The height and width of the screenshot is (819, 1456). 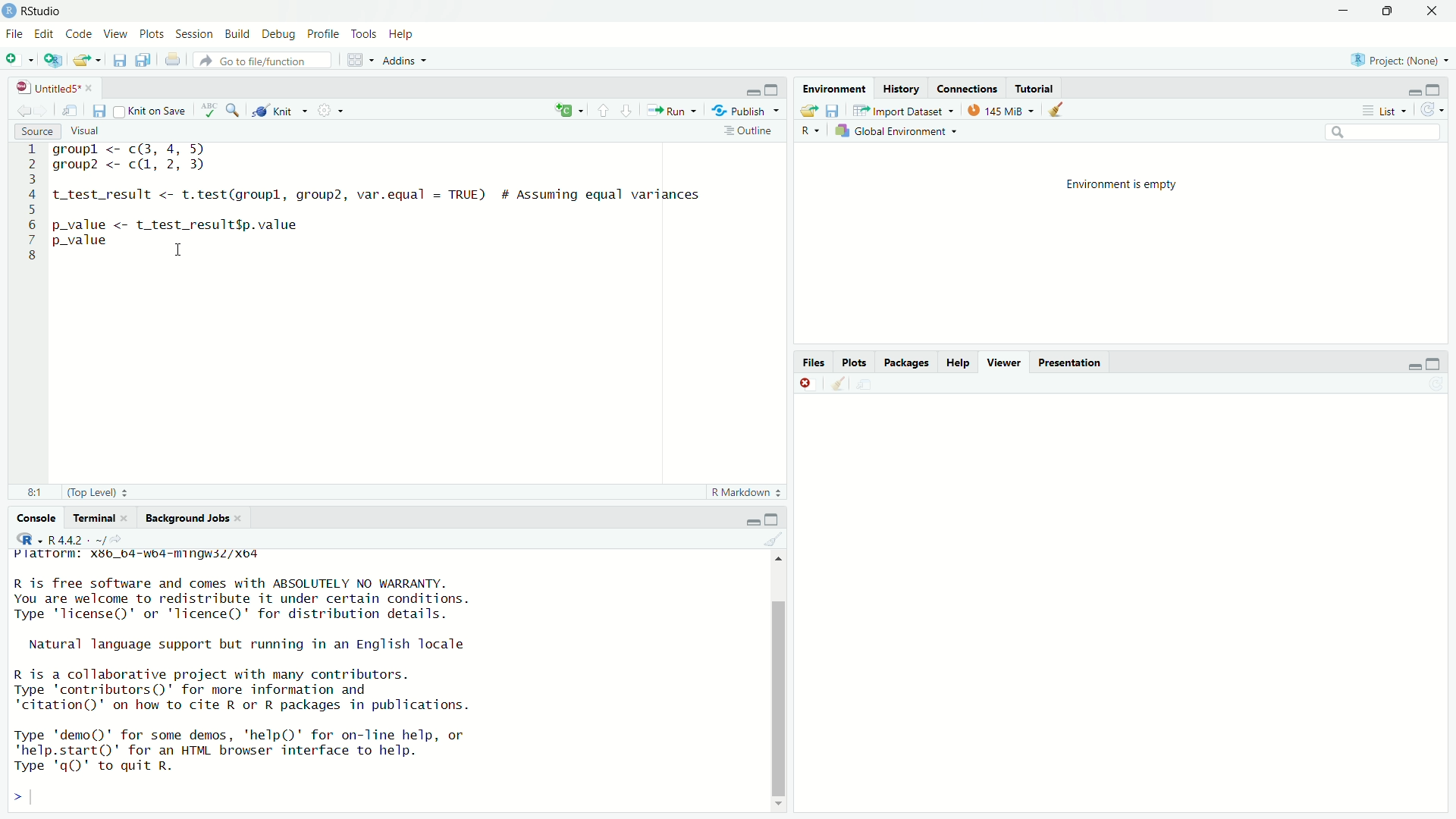 I want to click on Visual, so click(x=89, y=131).